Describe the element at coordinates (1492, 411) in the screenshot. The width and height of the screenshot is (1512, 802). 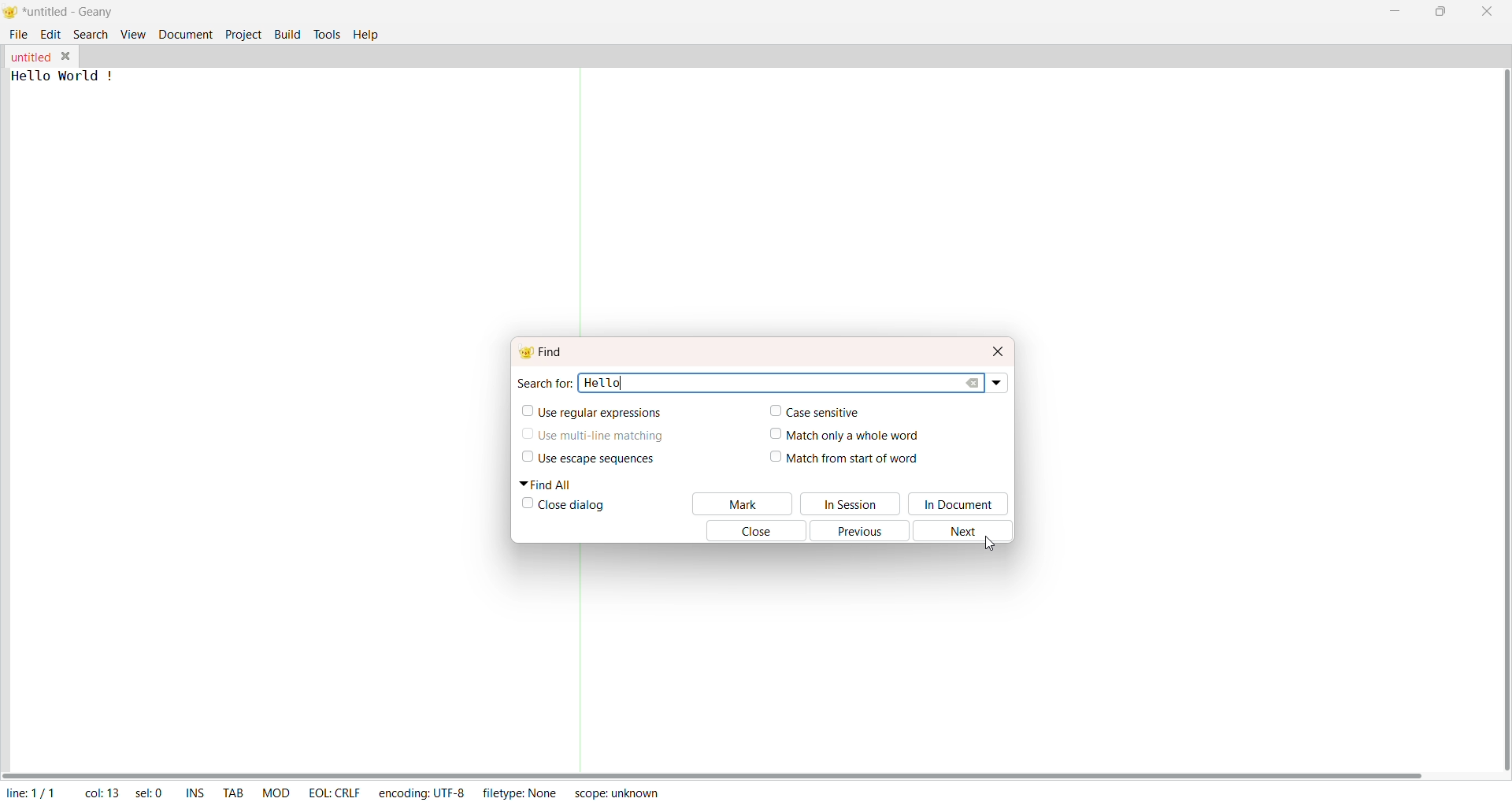
I see `Vertical Horizontal Bar` at that location.